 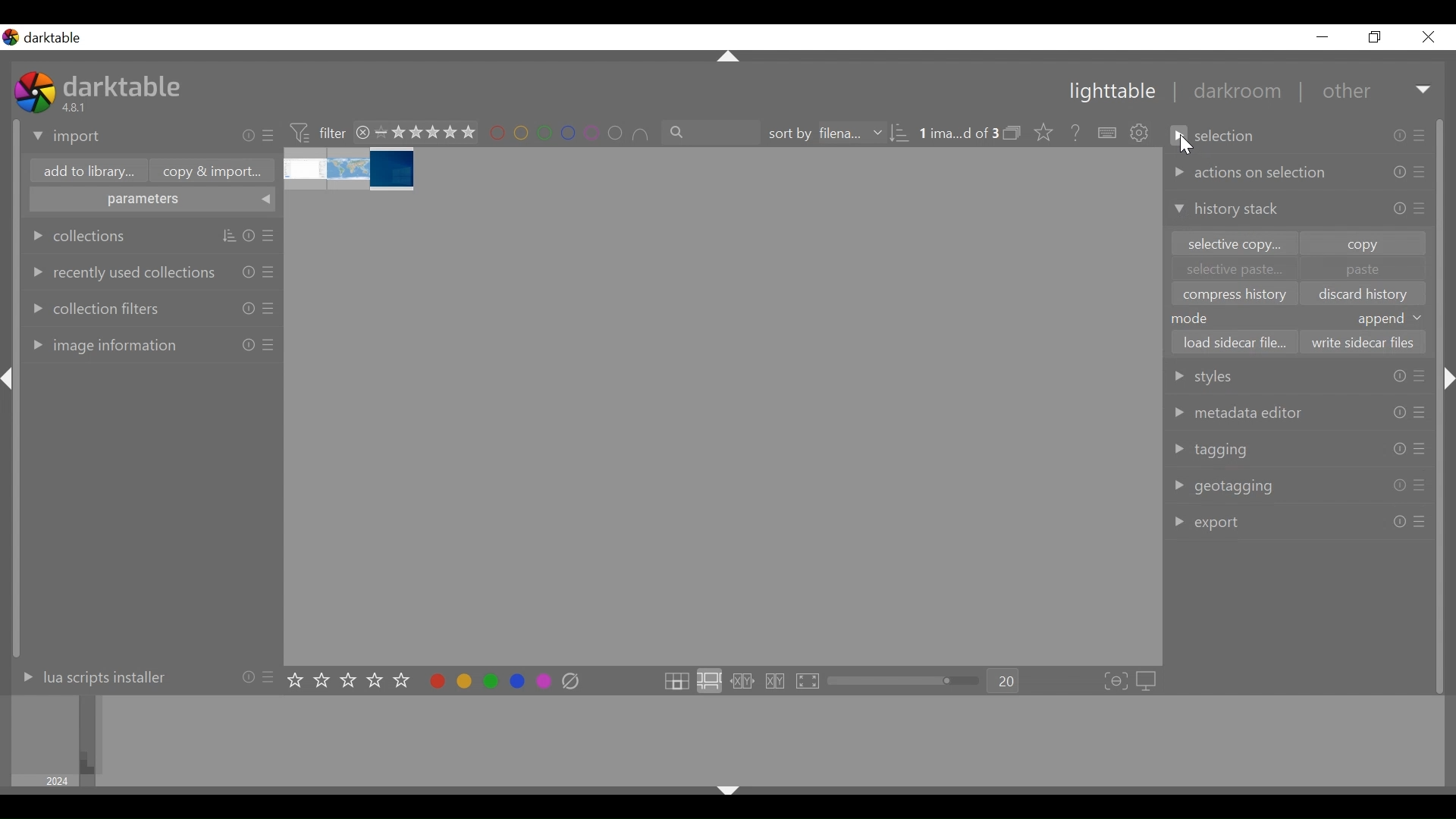 I want to click on logo, so click(x=11, y=37).